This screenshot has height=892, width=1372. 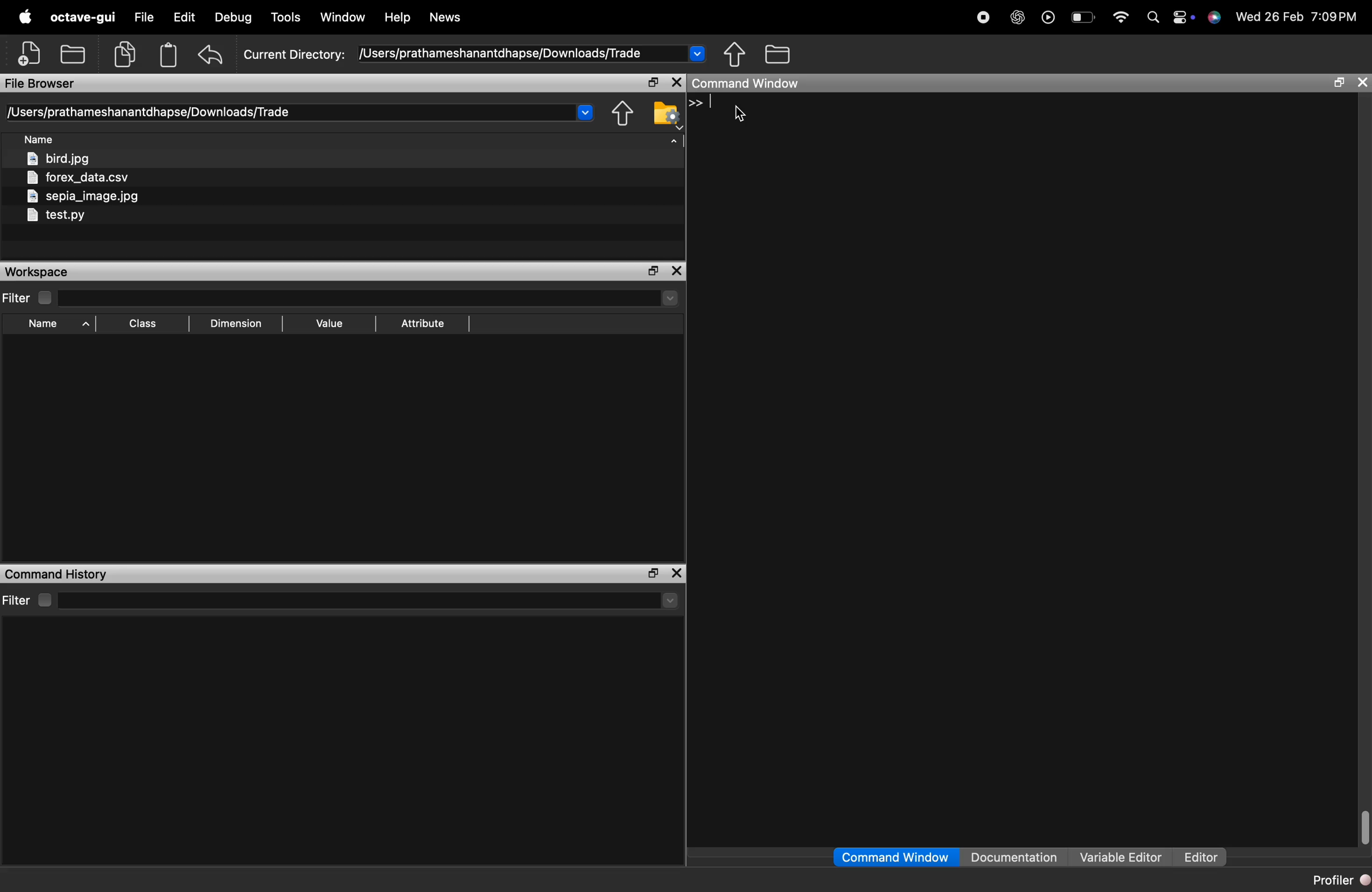 I want to click on editor, so click(x=1201, y=858).